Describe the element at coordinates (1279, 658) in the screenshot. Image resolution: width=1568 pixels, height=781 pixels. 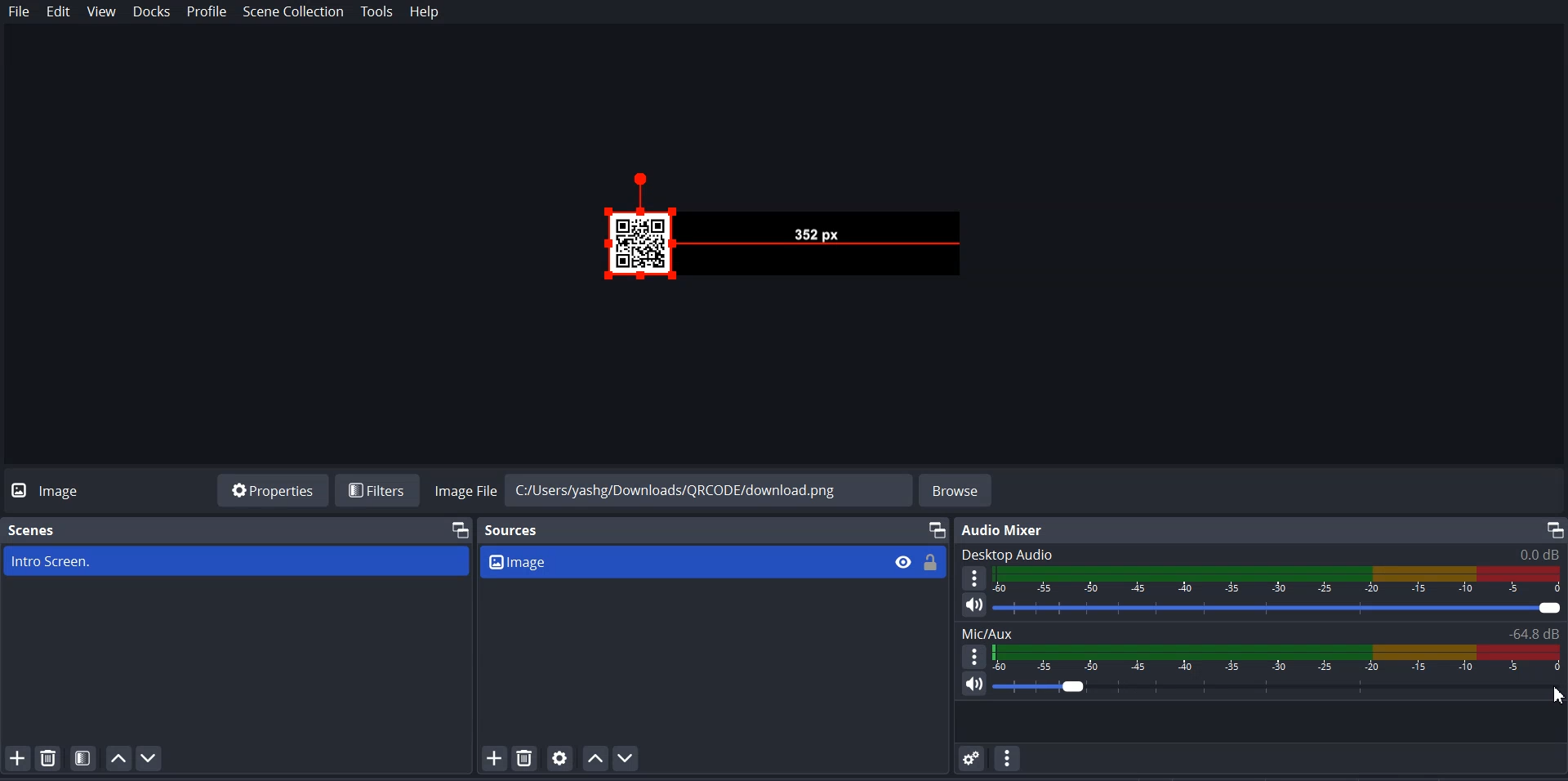
I see `Volume Indicators` at that location.